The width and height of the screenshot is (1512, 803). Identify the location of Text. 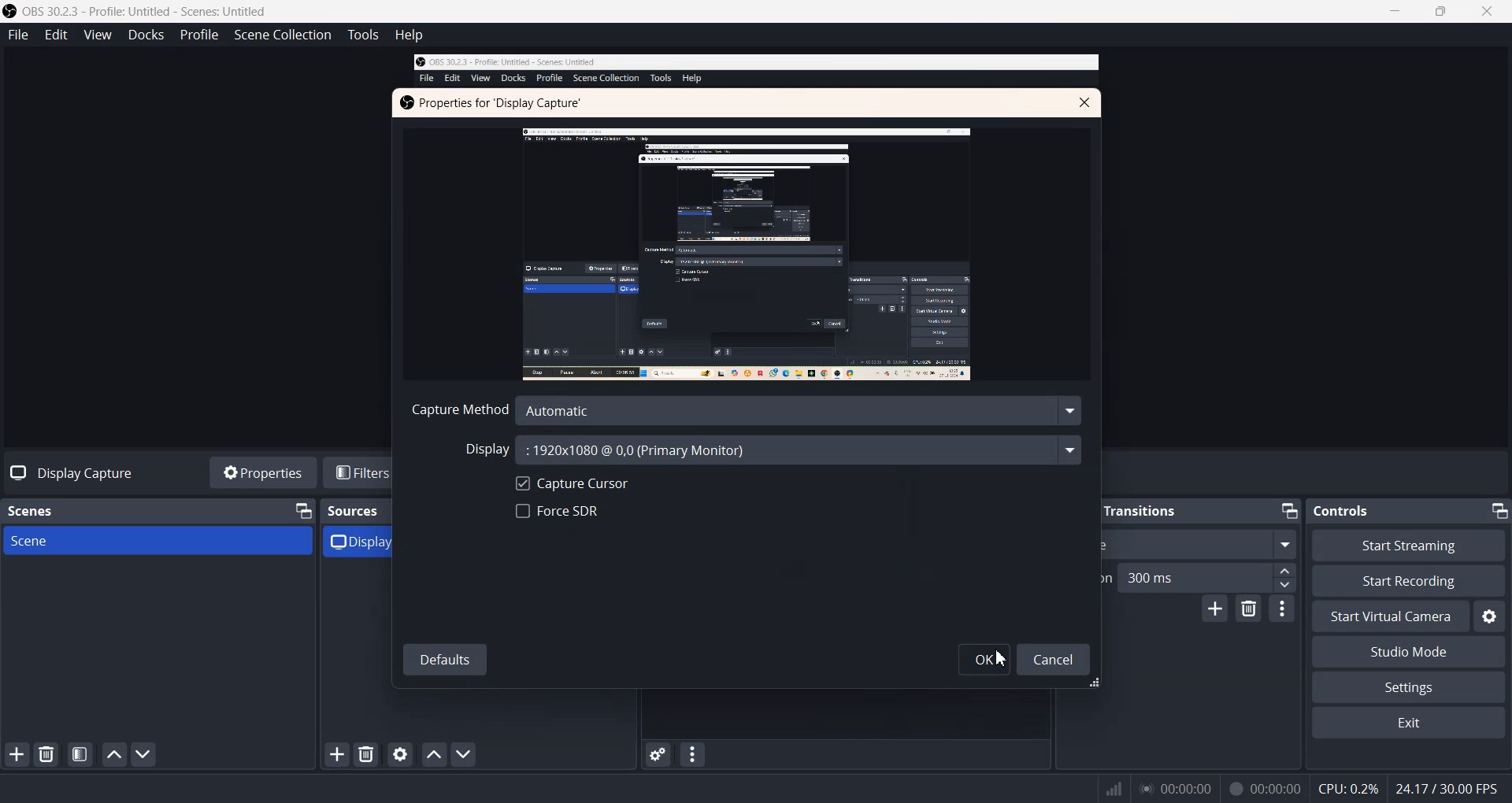
(492, 104).